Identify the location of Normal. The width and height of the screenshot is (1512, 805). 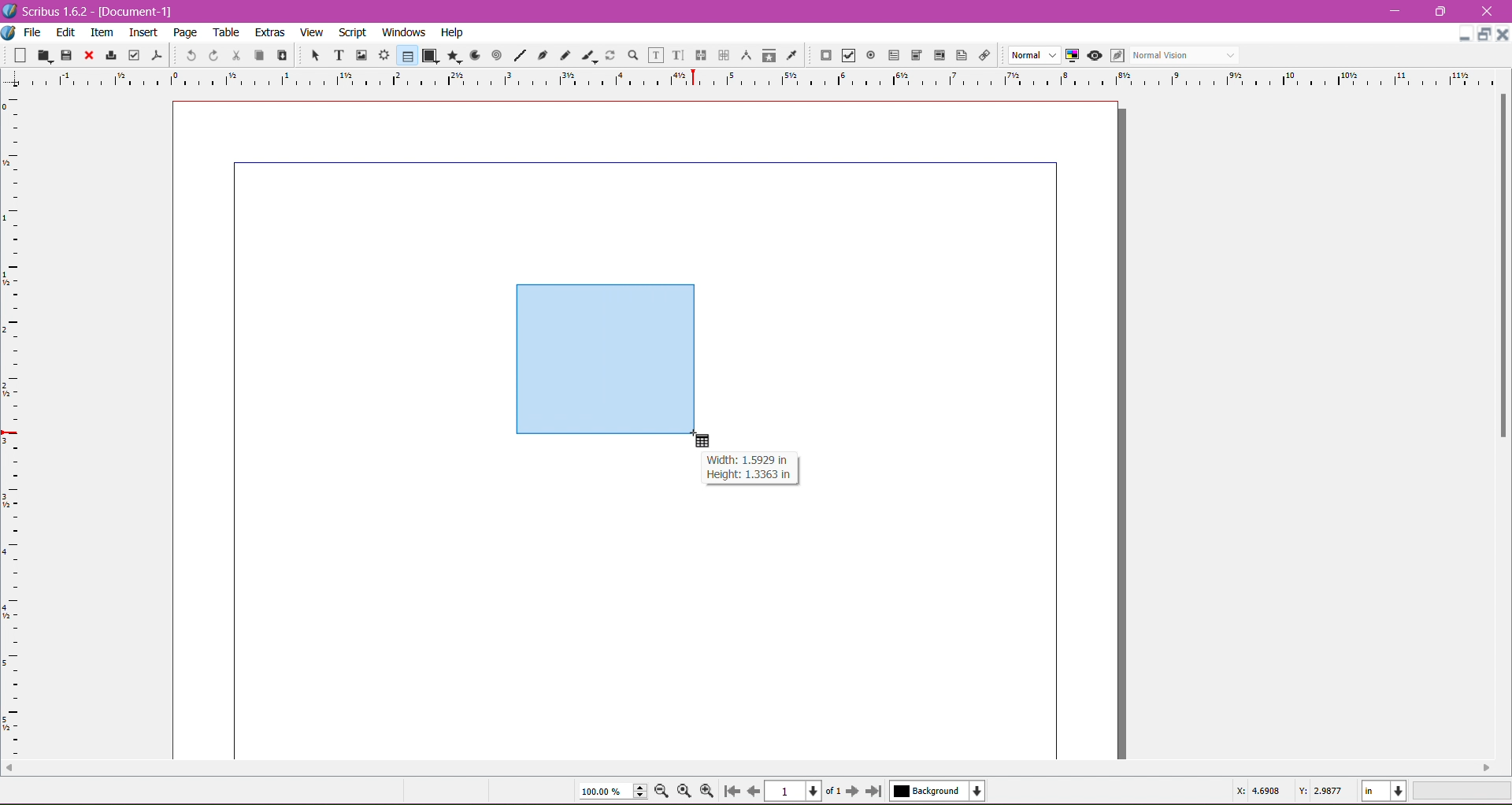
(1032, 56).